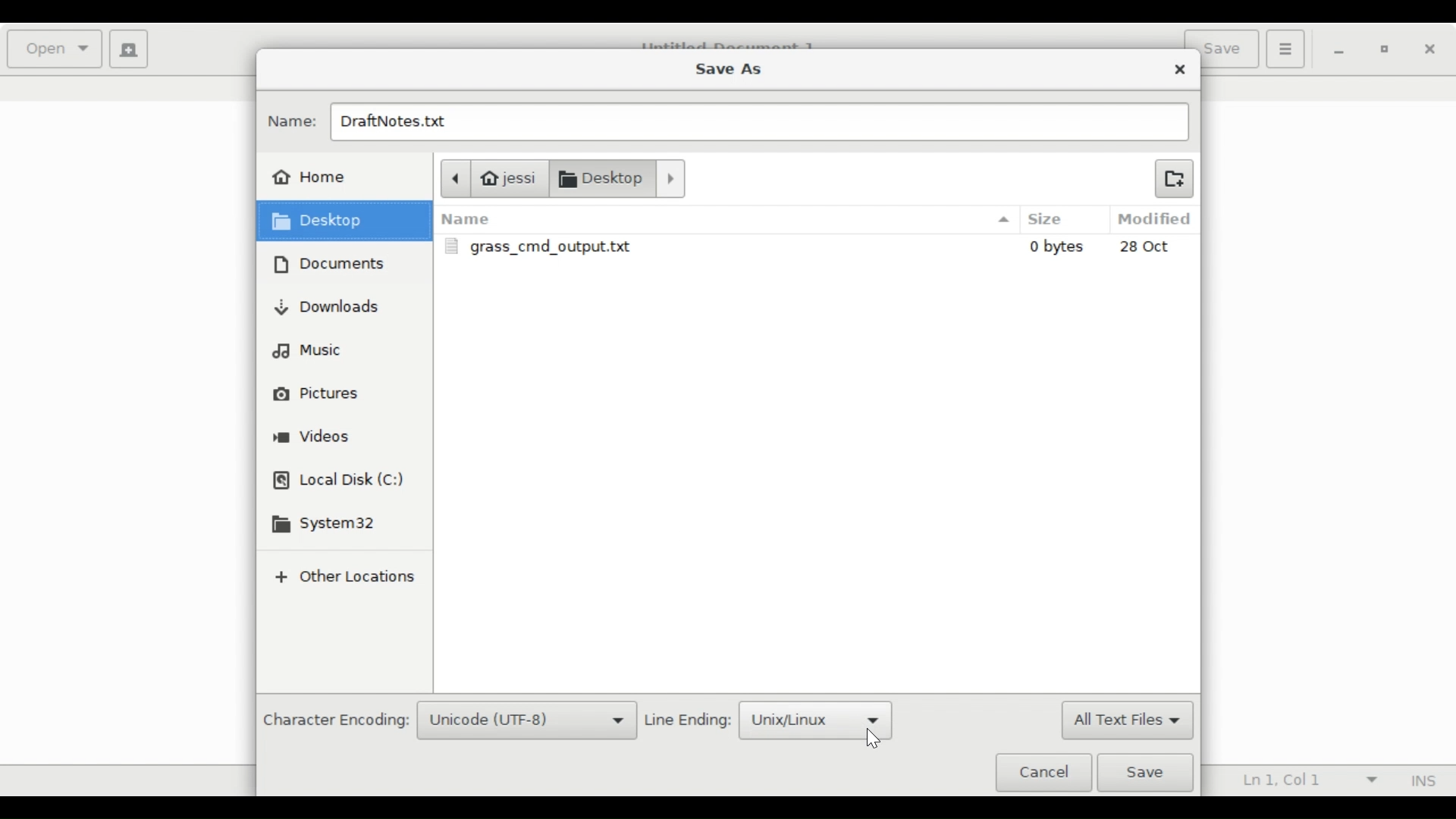 This screenshot has width=1456, height=819. I want to click on Open, so click(56, 49).